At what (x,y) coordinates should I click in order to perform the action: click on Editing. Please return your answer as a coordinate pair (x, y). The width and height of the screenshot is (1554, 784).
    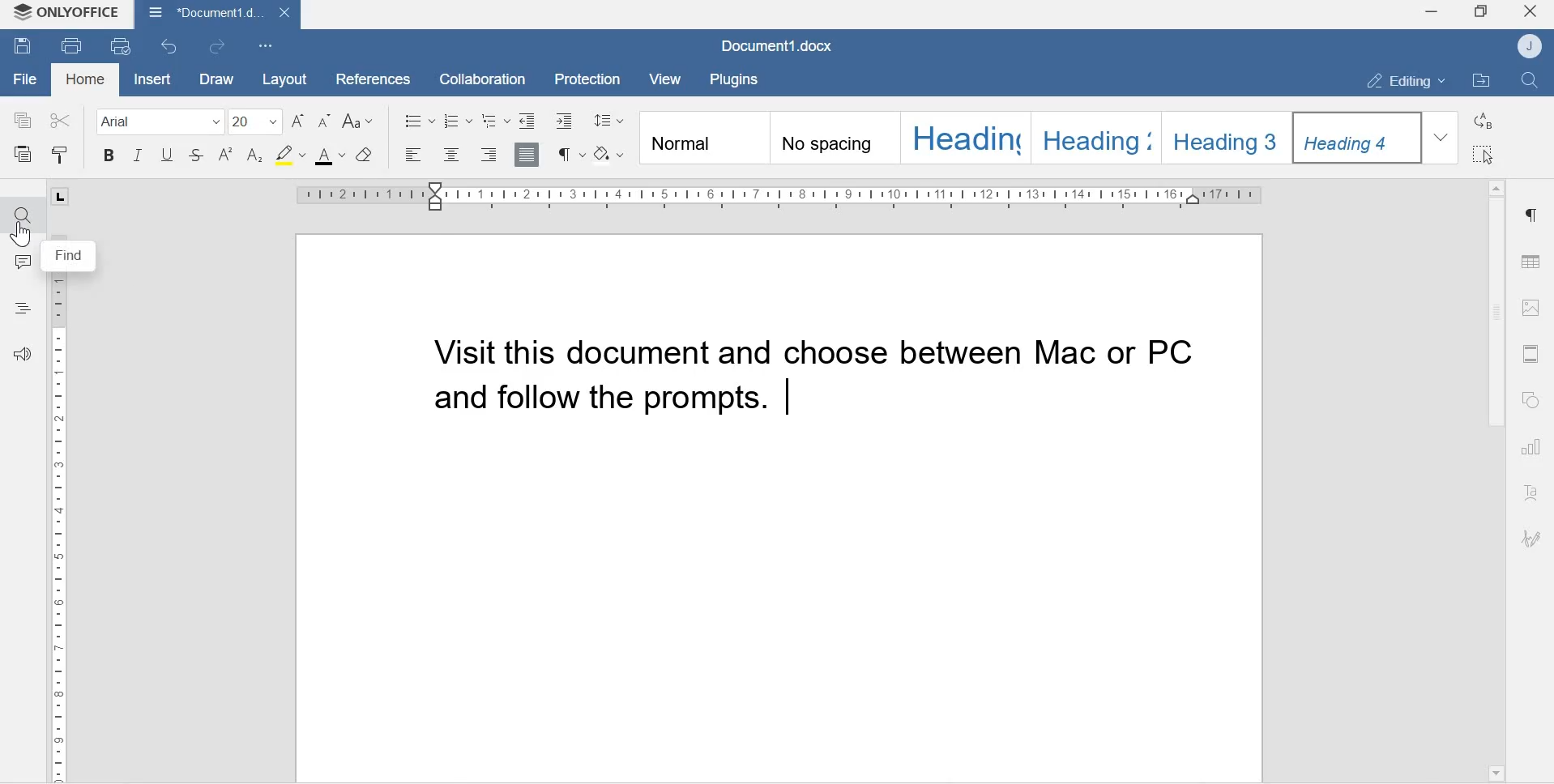
    Looking at the image, I should click on (1398, 80).